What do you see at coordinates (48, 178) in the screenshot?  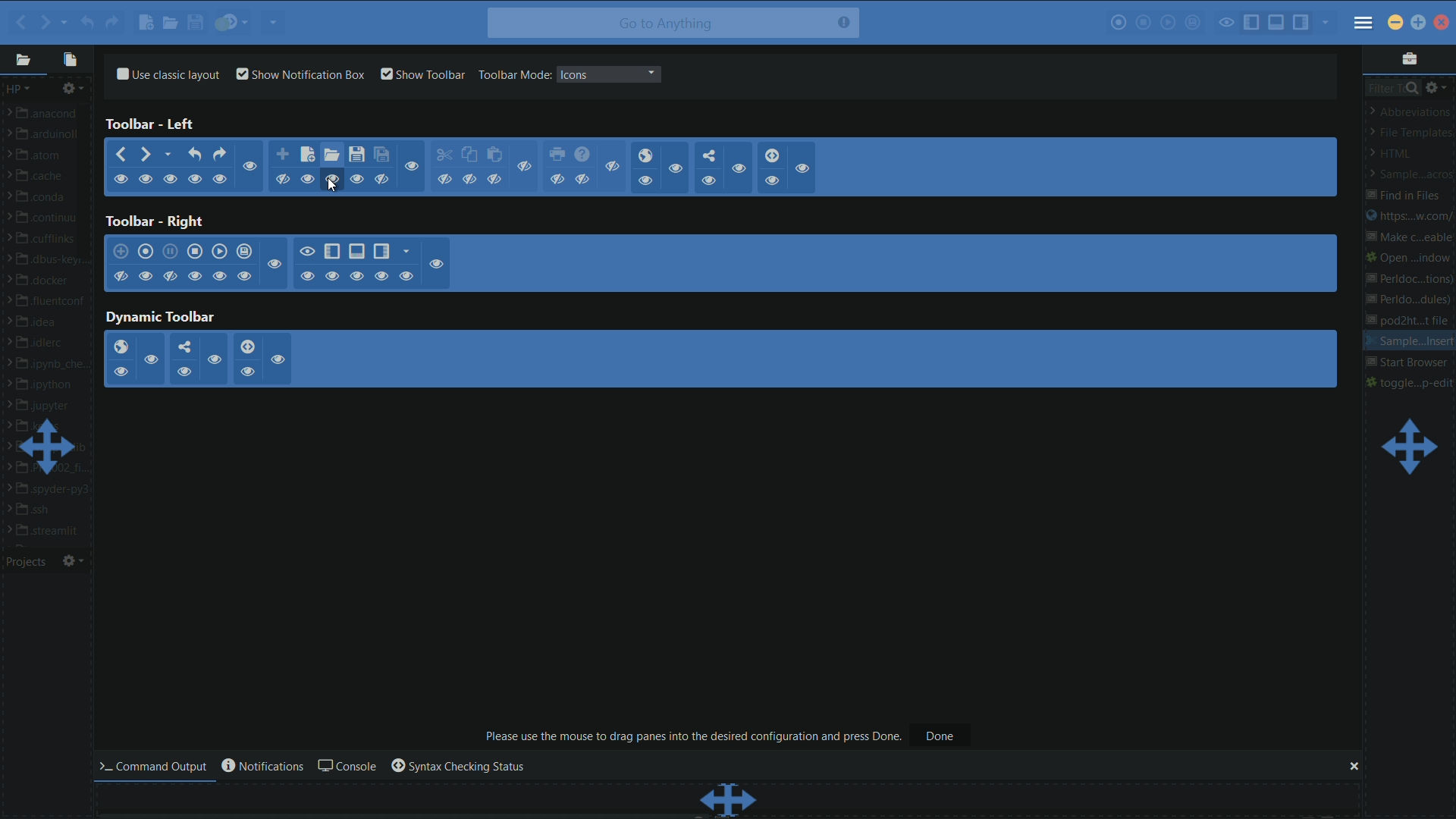 I see `.cache` at bounding box center [48, 178].